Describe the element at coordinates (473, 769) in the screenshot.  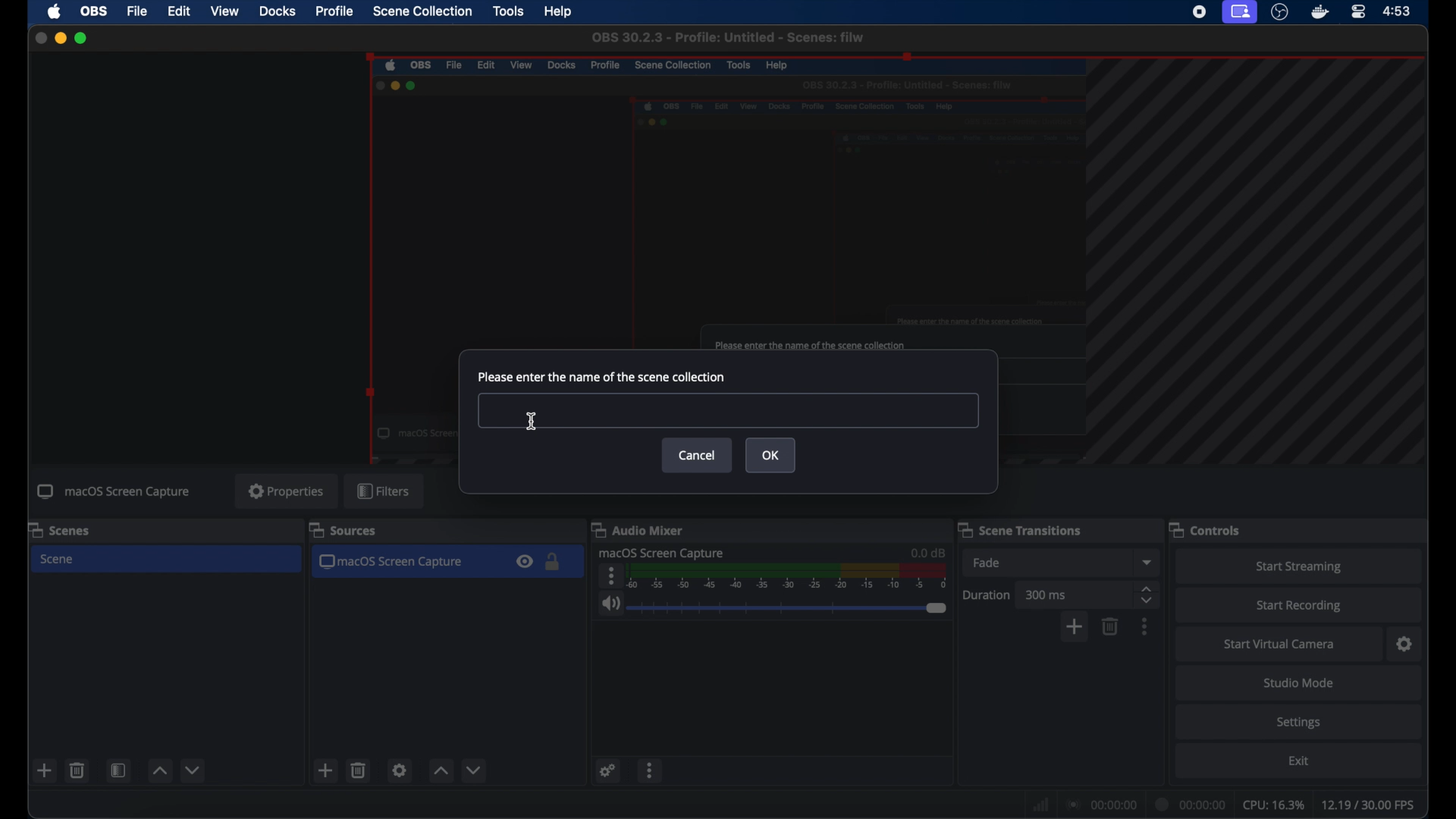
I see `decrement` at that location.